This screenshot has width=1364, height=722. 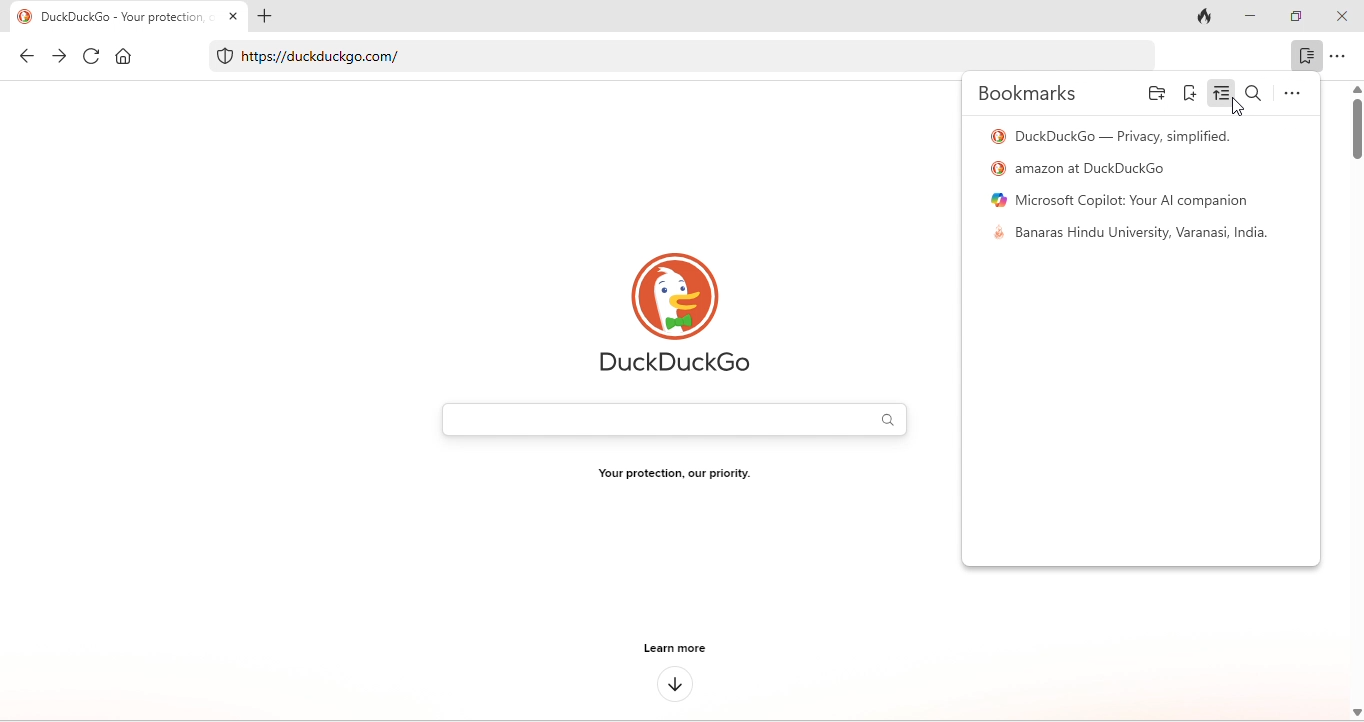 What do you see at coordinates (1289, 94) in the screenshot?
I see `option` at bounding box center [1289, 94].